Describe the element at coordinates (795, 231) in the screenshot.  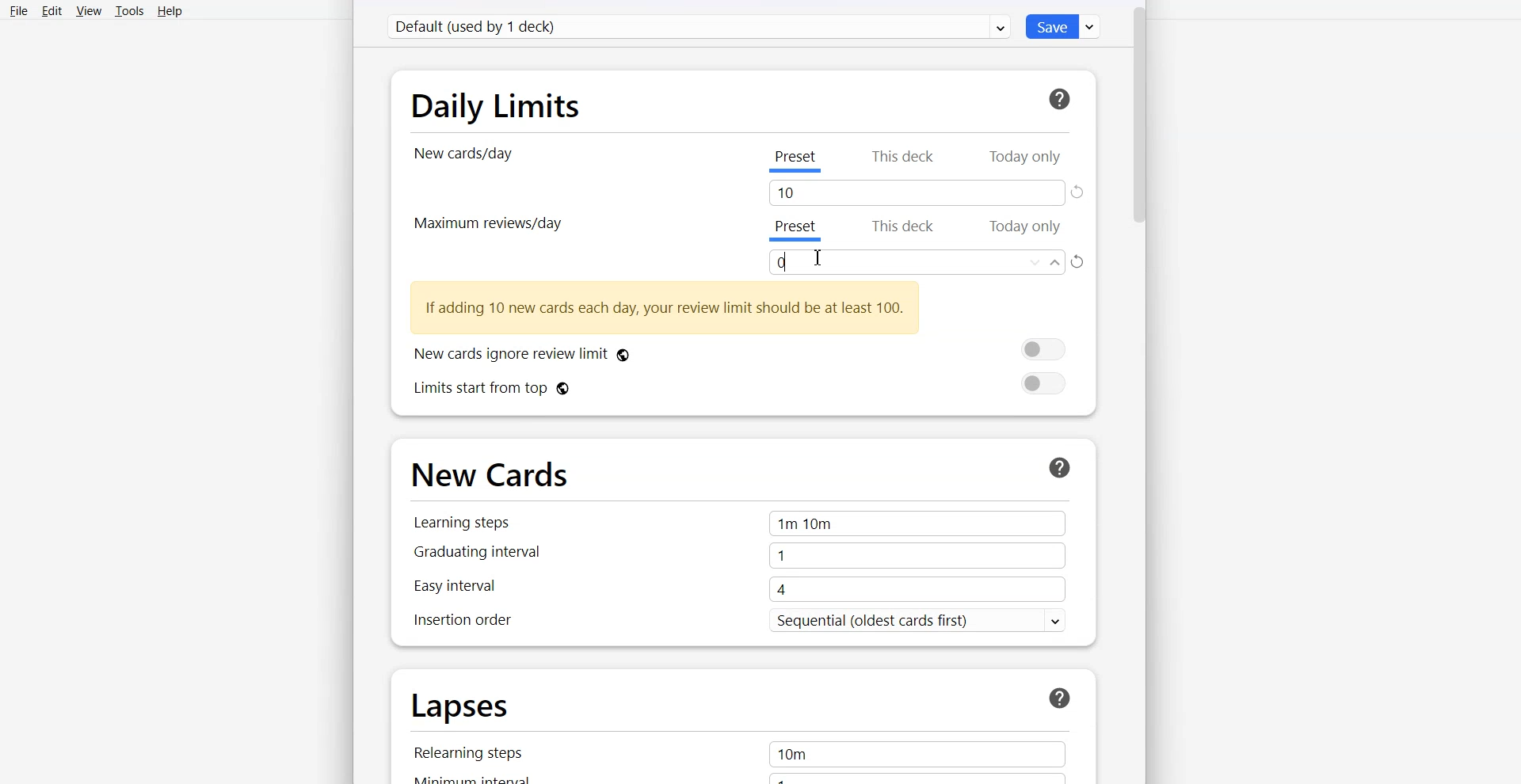
I see `Preset` at that location.